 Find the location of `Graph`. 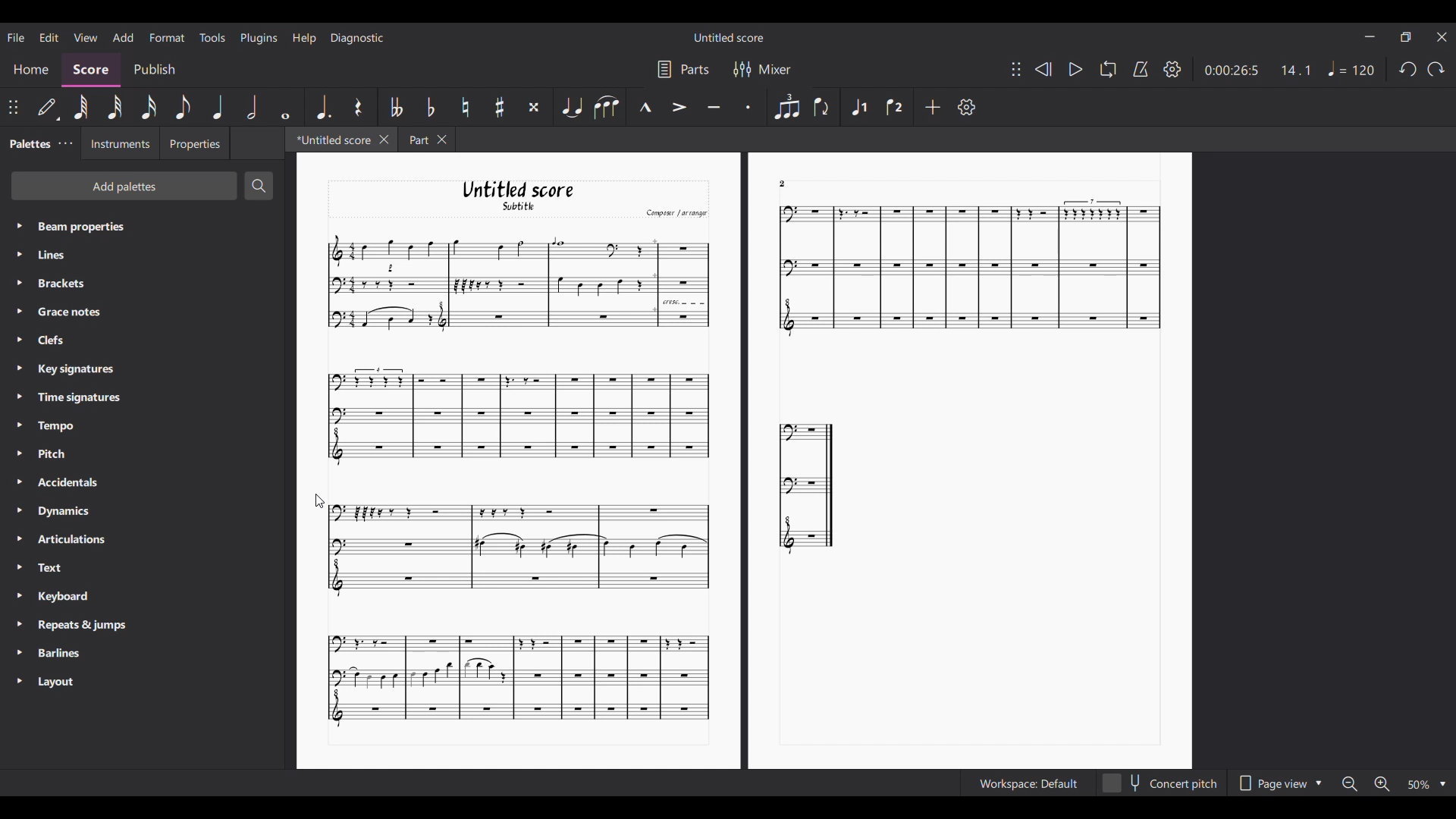

Graph is located at coordinates (516, 679).